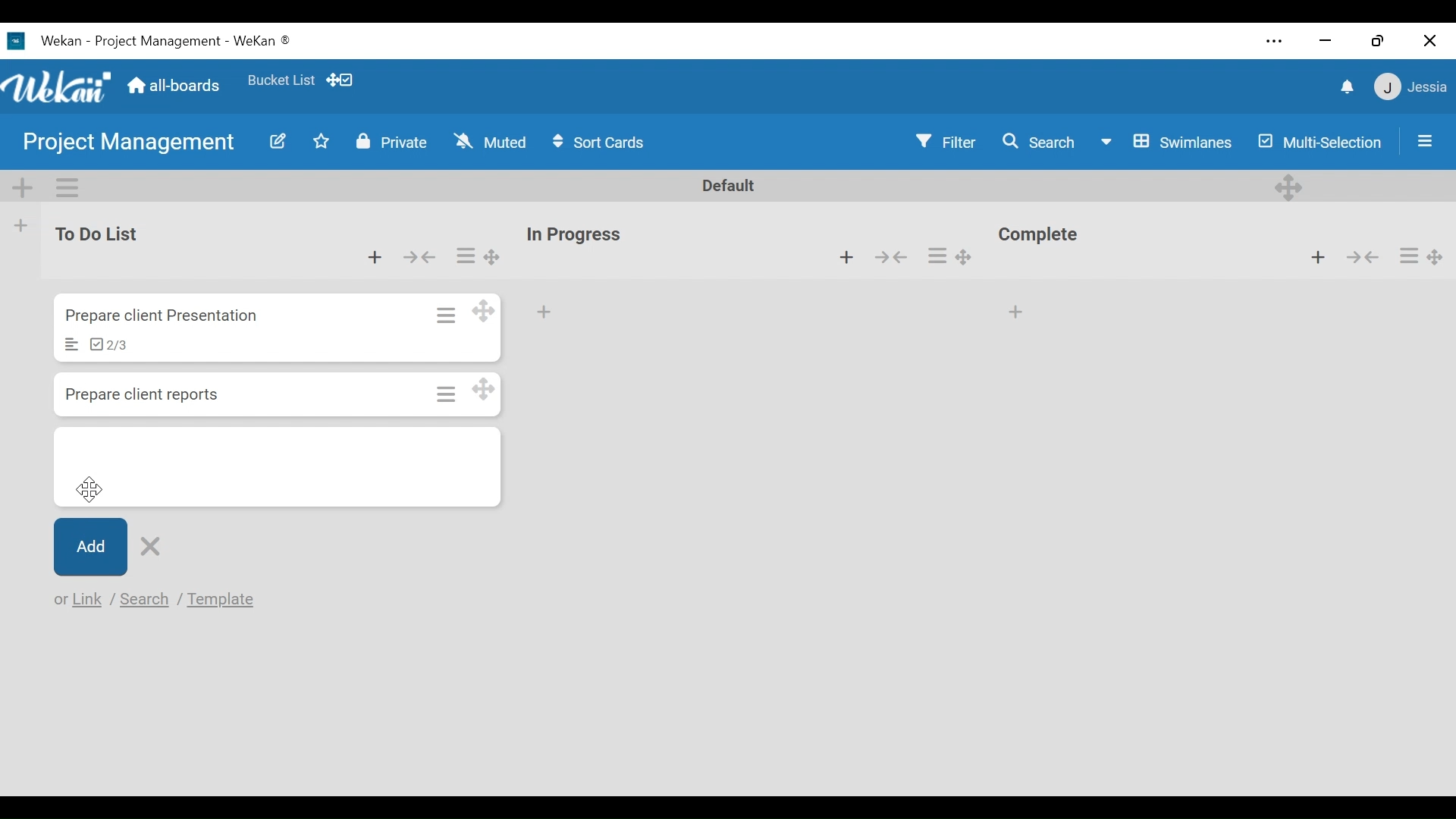  What do you see at coordinates (1291, 186) in the screenshot?
I see `Desktop drag handles` at bounding box center [1291, 186].